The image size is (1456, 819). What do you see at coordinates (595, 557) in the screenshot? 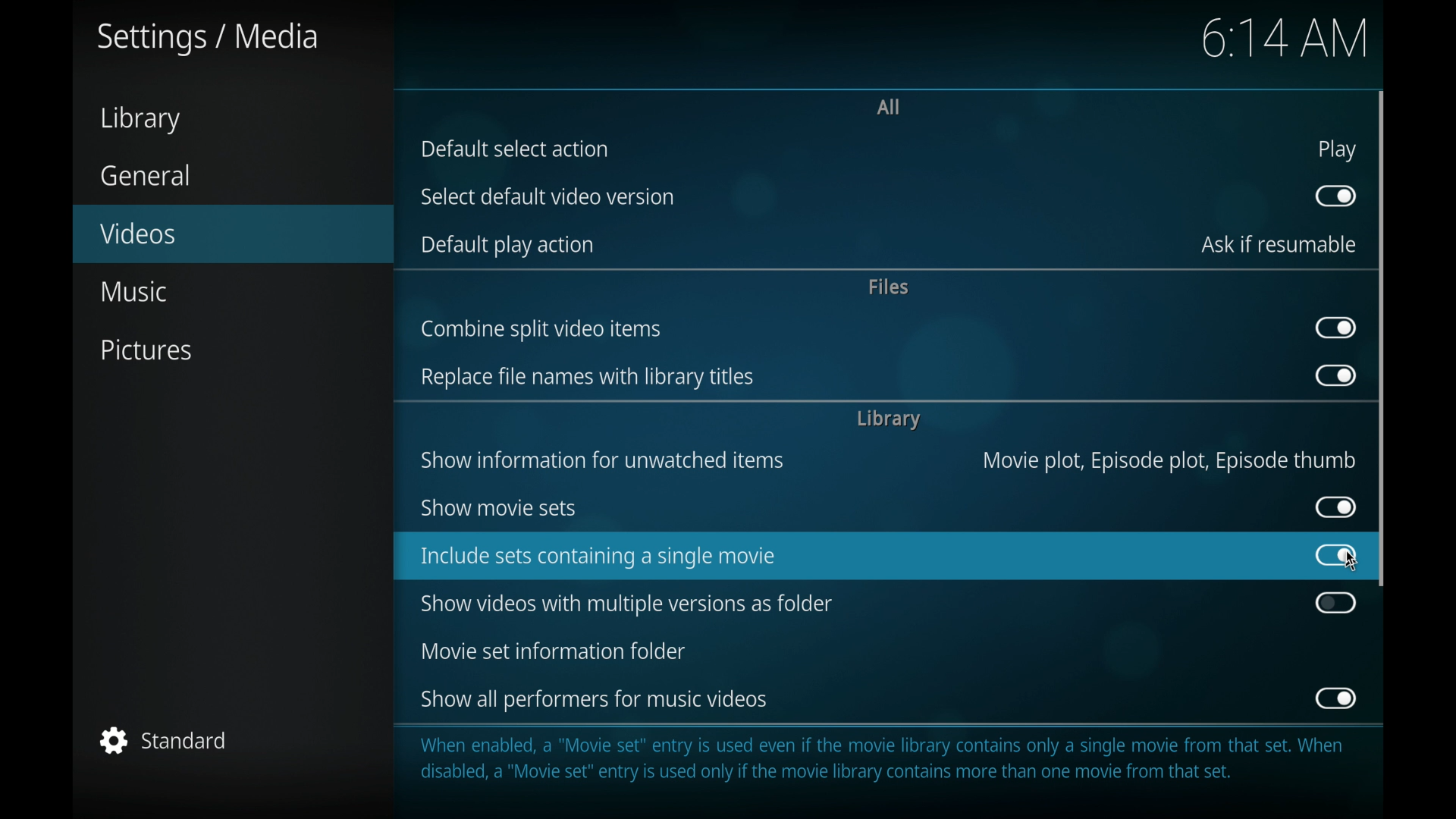
I see `include sets` at bounding box center [595, 557].